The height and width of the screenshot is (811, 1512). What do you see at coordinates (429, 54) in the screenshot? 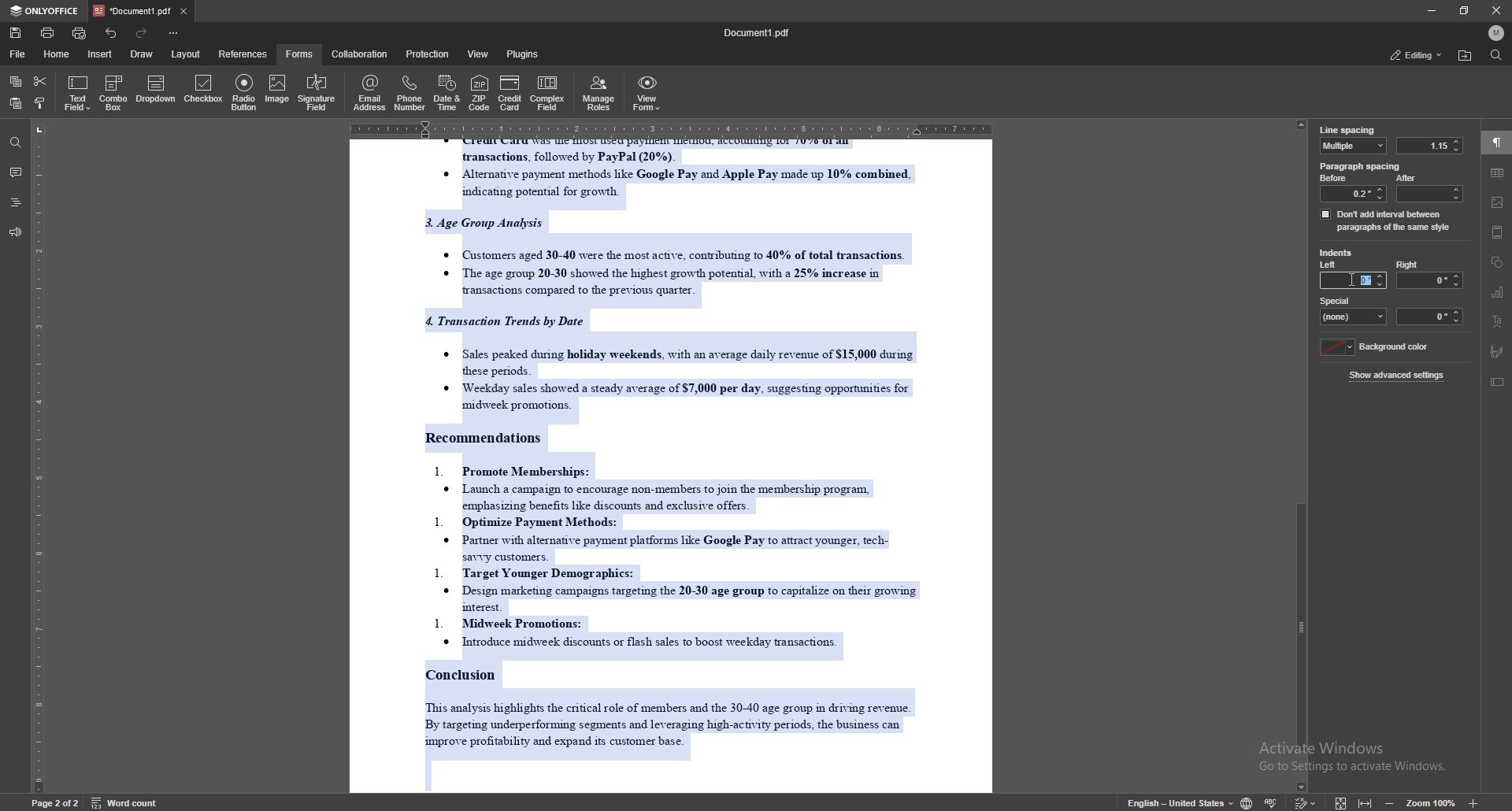
I see `protection` at bounding box center [429, 54].